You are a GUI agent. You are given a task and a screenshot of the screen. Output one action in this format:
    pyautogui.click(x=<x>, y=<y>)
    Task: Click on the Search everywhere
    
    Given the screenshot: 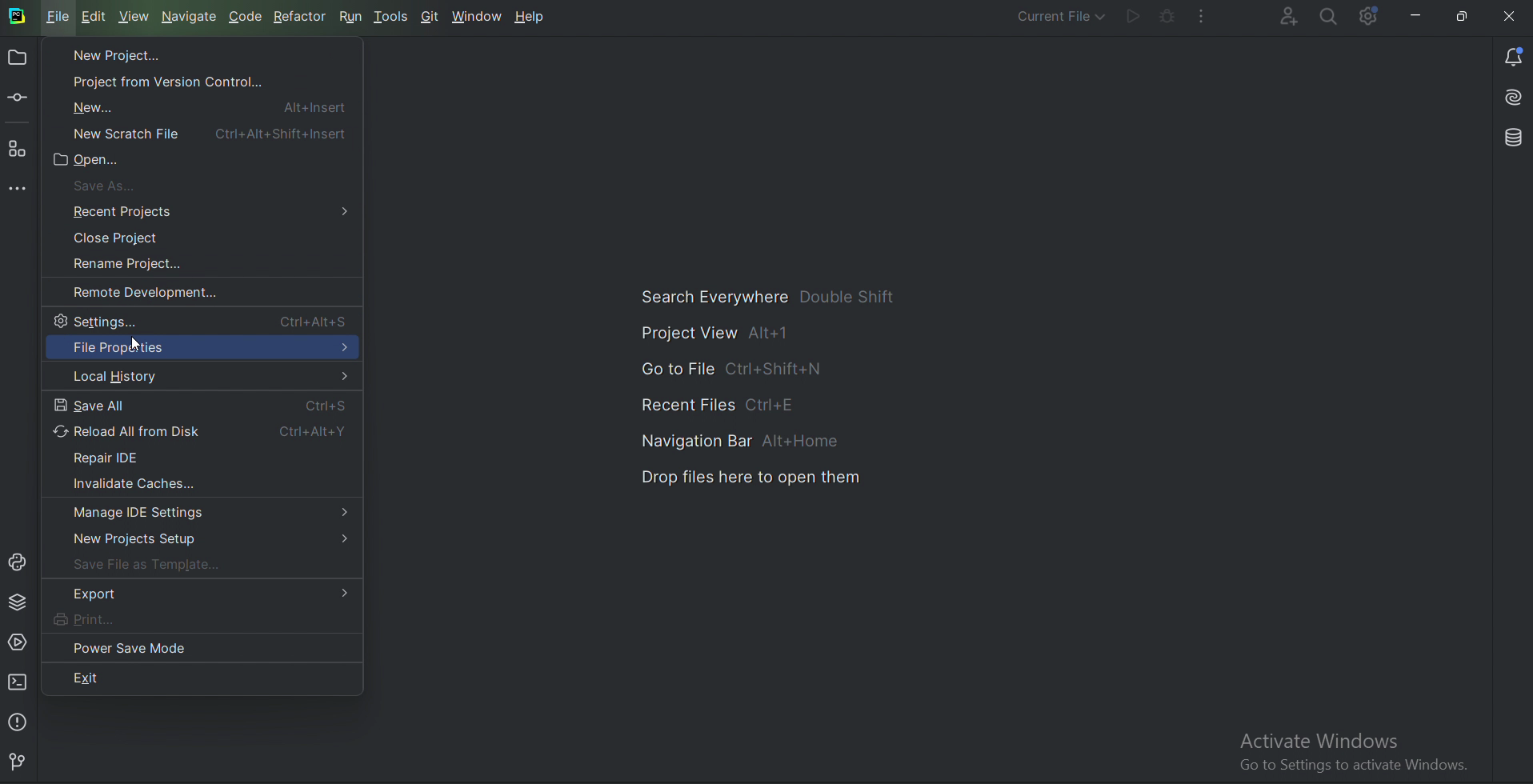 What is the action you would take?
    pyautogui.click(x=1331, y=18)
    